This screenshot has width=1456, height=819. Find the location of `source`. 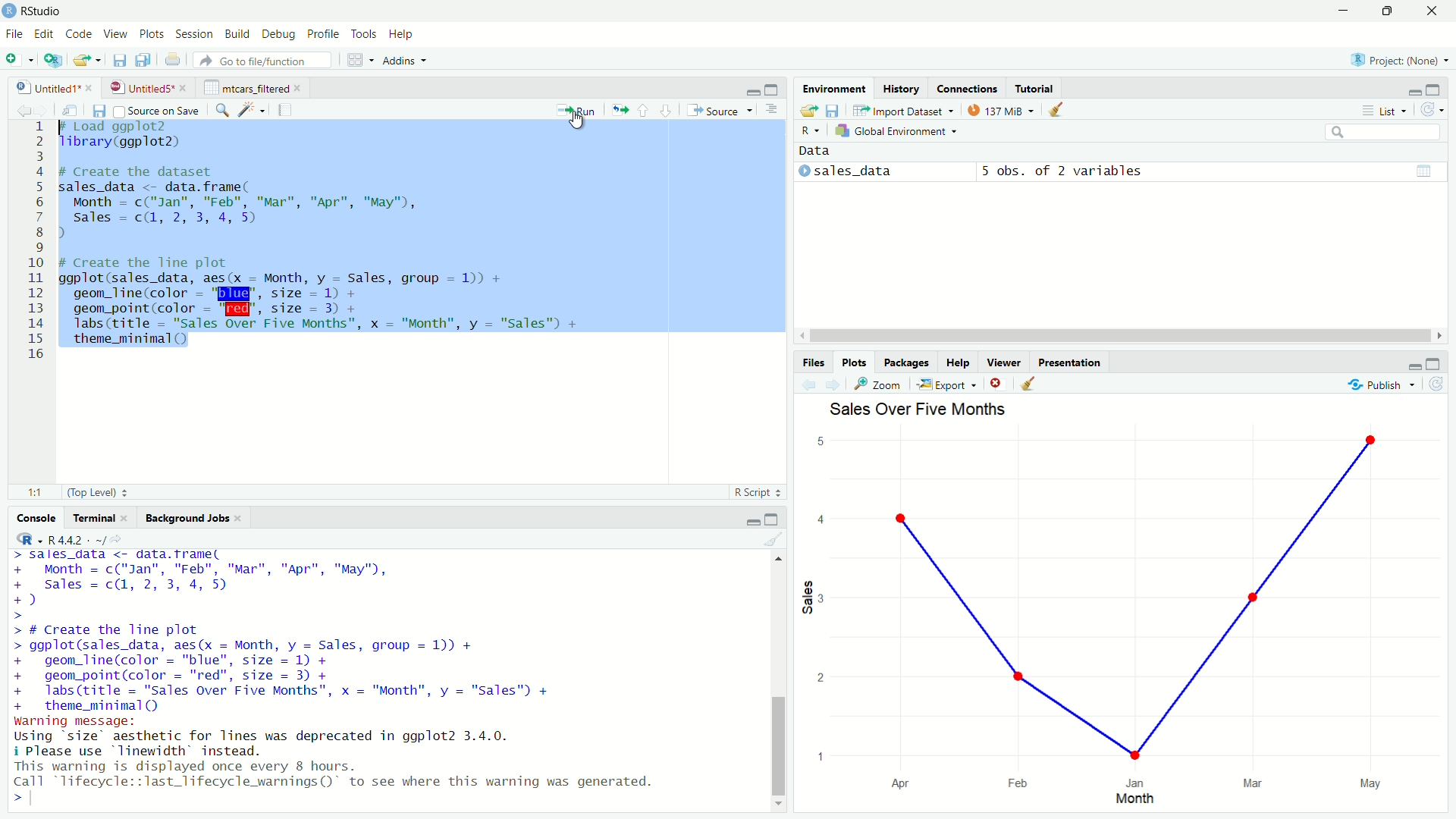

source is located at coordinates (718, 111).